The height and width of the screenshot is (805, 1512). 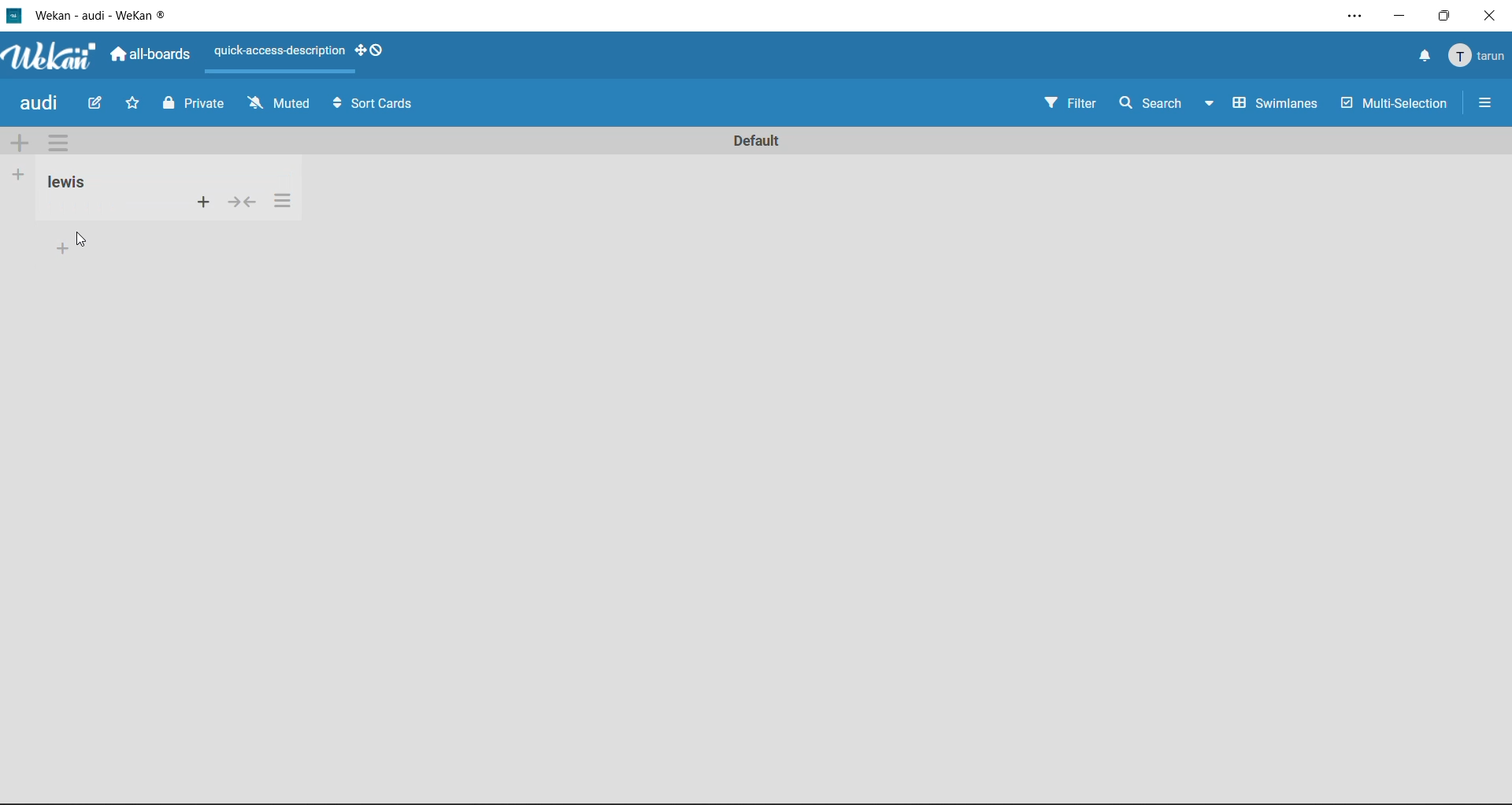 What do you see at coordinates (42, 104) in the screenshot?
I see `audi` at bounding box center [42, 104].